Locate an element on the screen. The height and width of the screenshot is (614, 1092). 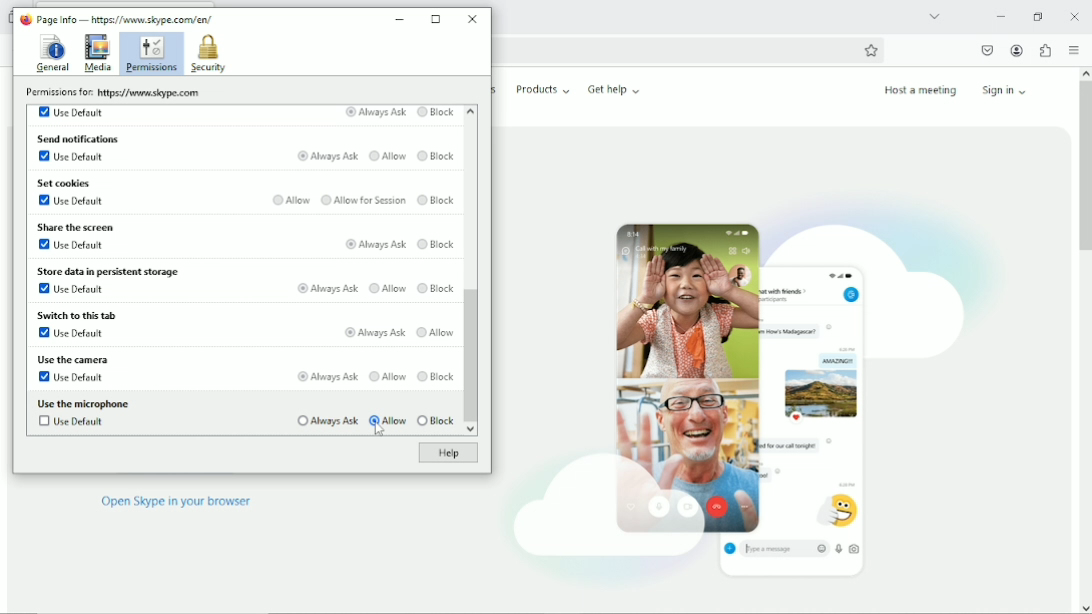
Switch to this tab is located at coordinates (76, 316).